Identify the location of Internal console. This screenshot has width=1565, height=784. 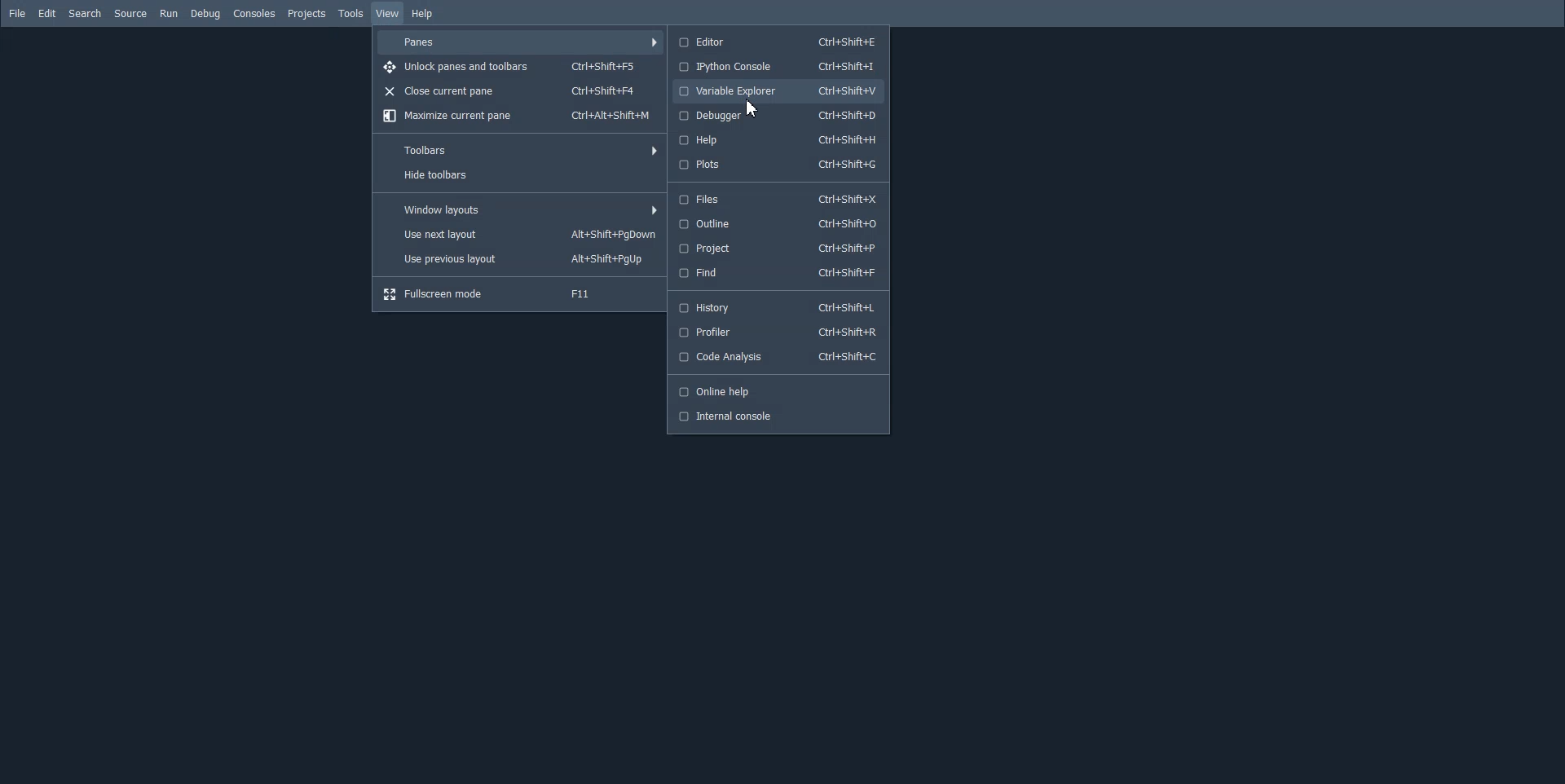
(775, 417).